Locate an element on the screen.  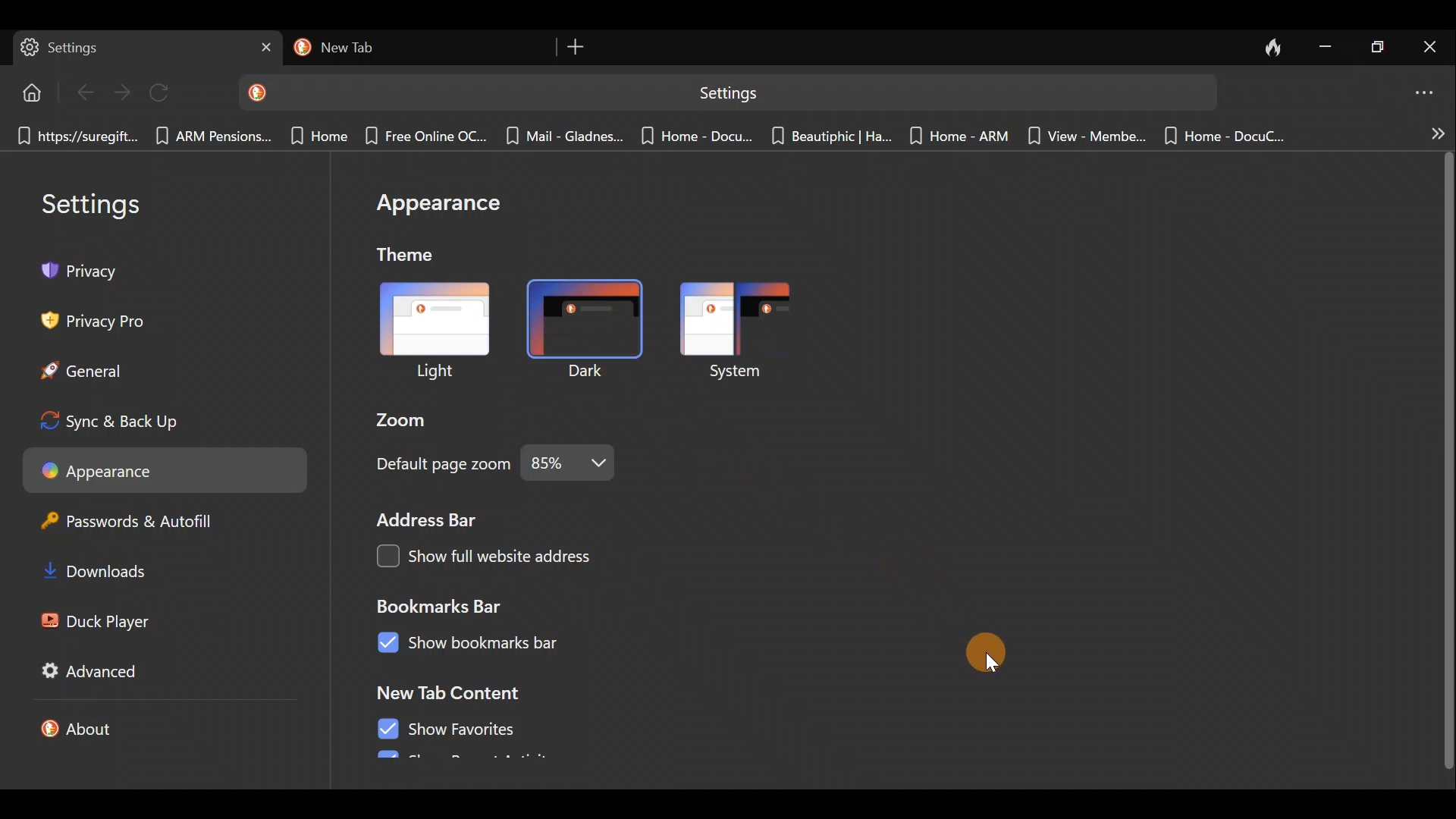
Forward is located at coordinates (124, 92).